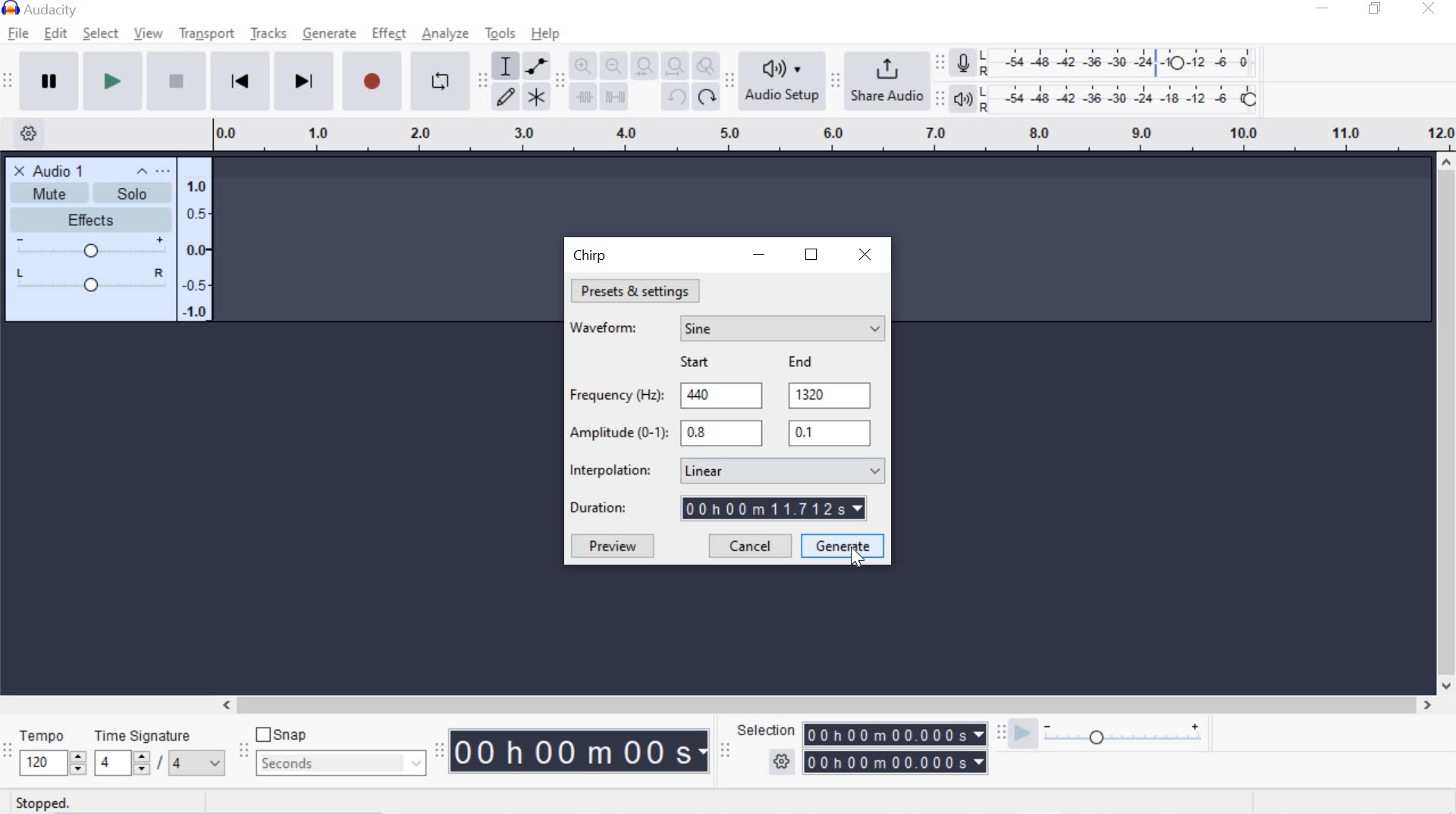 Image resolution: width=1456 pixels, height=814 pixels. I want to click on Time signature, so click(156, 750).